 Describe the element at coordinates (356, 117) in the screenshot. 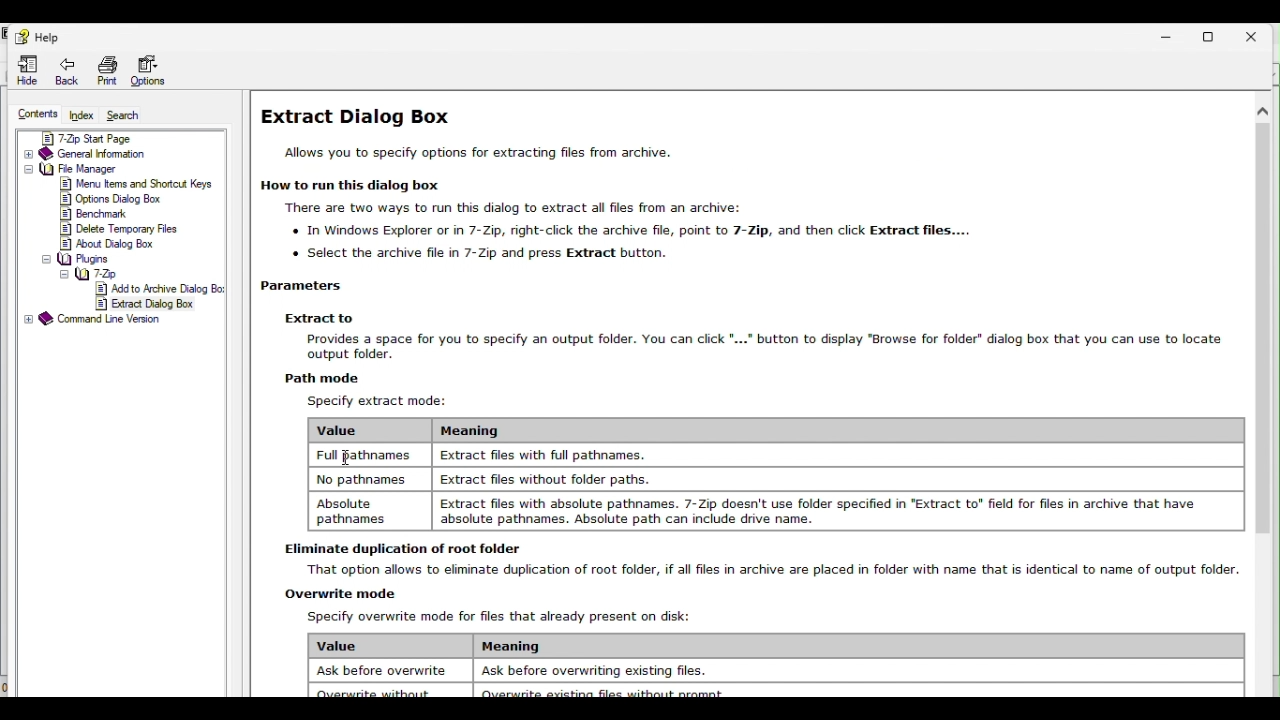

I see `extract dialog box` at that location.